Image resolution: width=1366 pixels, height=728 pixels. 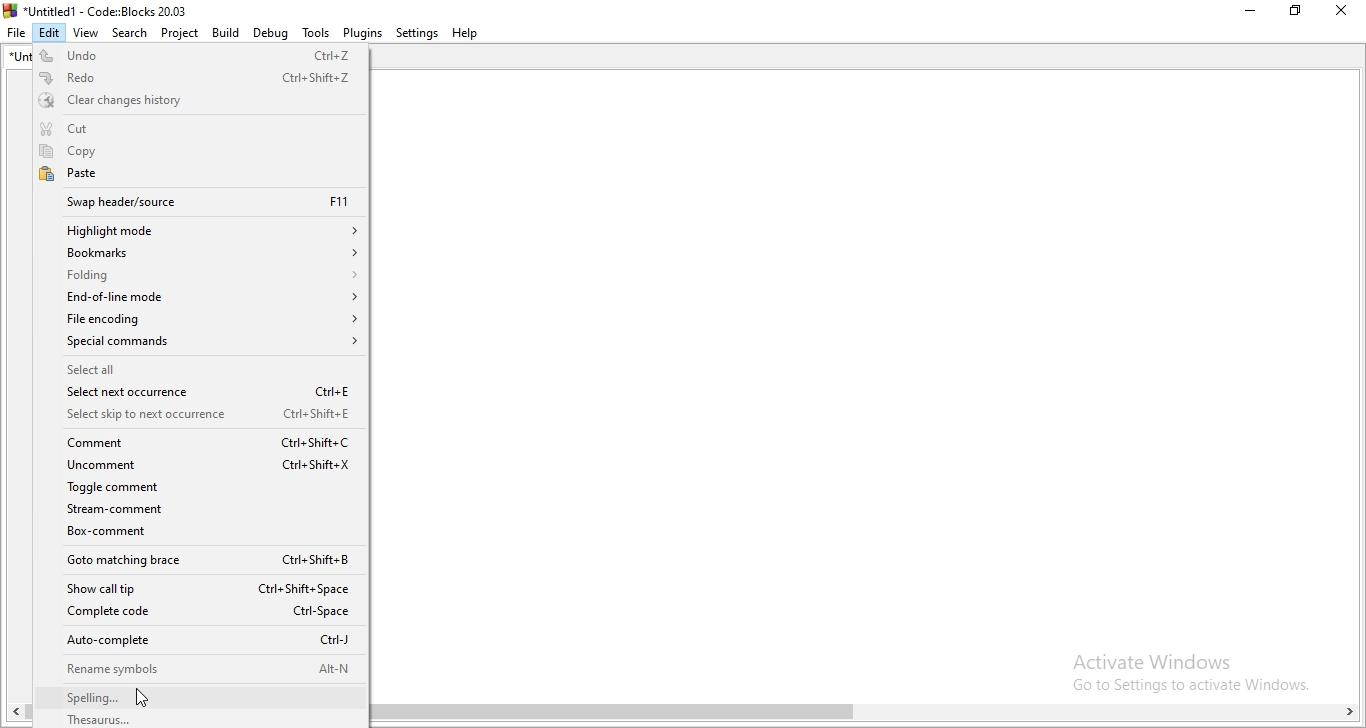 I want to click on View , so click(x=85, y=31).